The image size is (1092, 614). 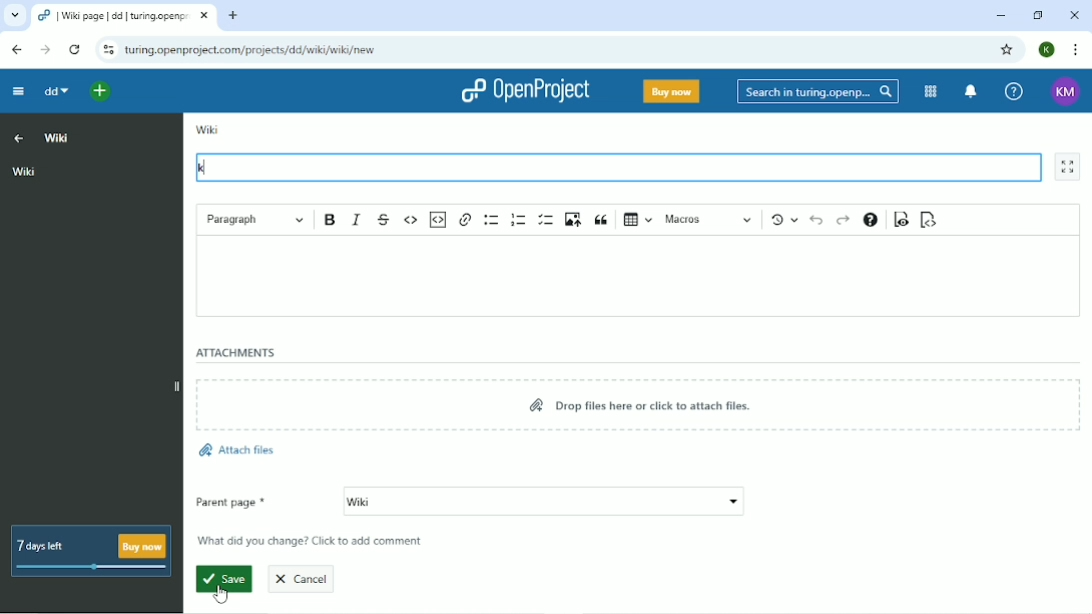 What do you see at coordinates (929, 218) in the screenshot?
I see `Switch to markdown source` at bounding box center [929, 218].